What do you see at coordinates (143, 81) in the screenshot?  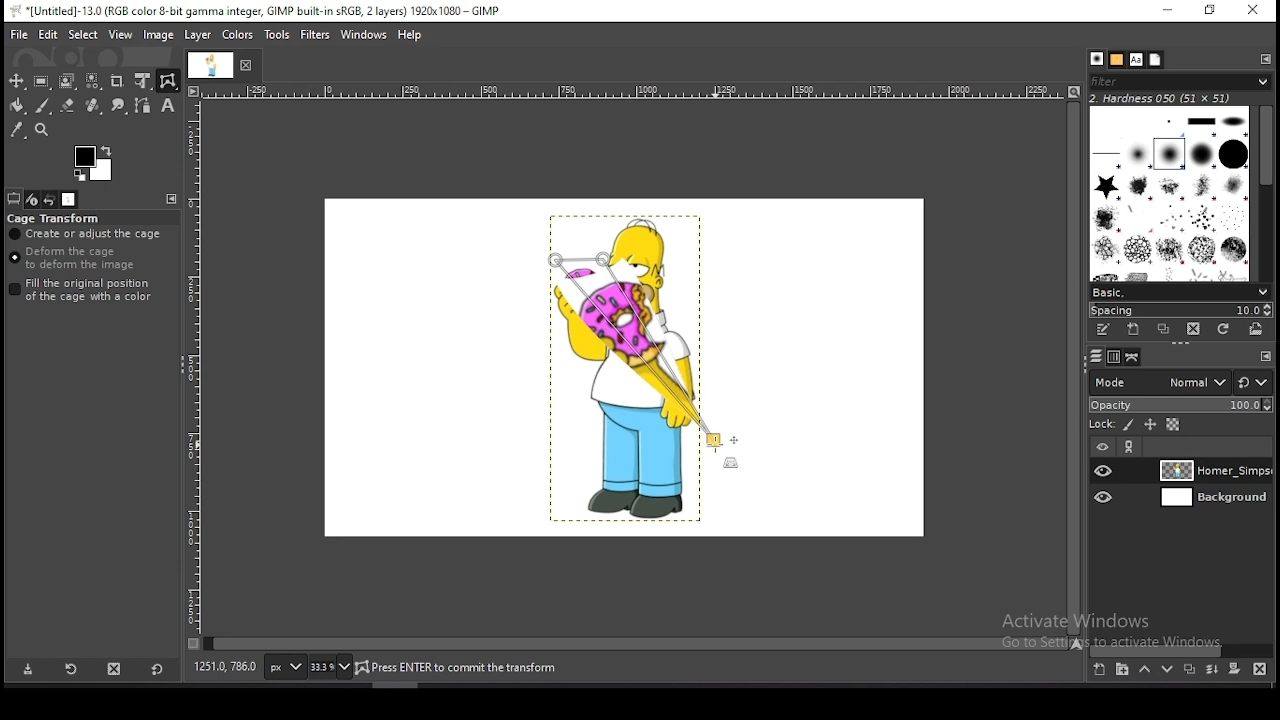 I see `unified transform tool` at bounding box center [143, 81].